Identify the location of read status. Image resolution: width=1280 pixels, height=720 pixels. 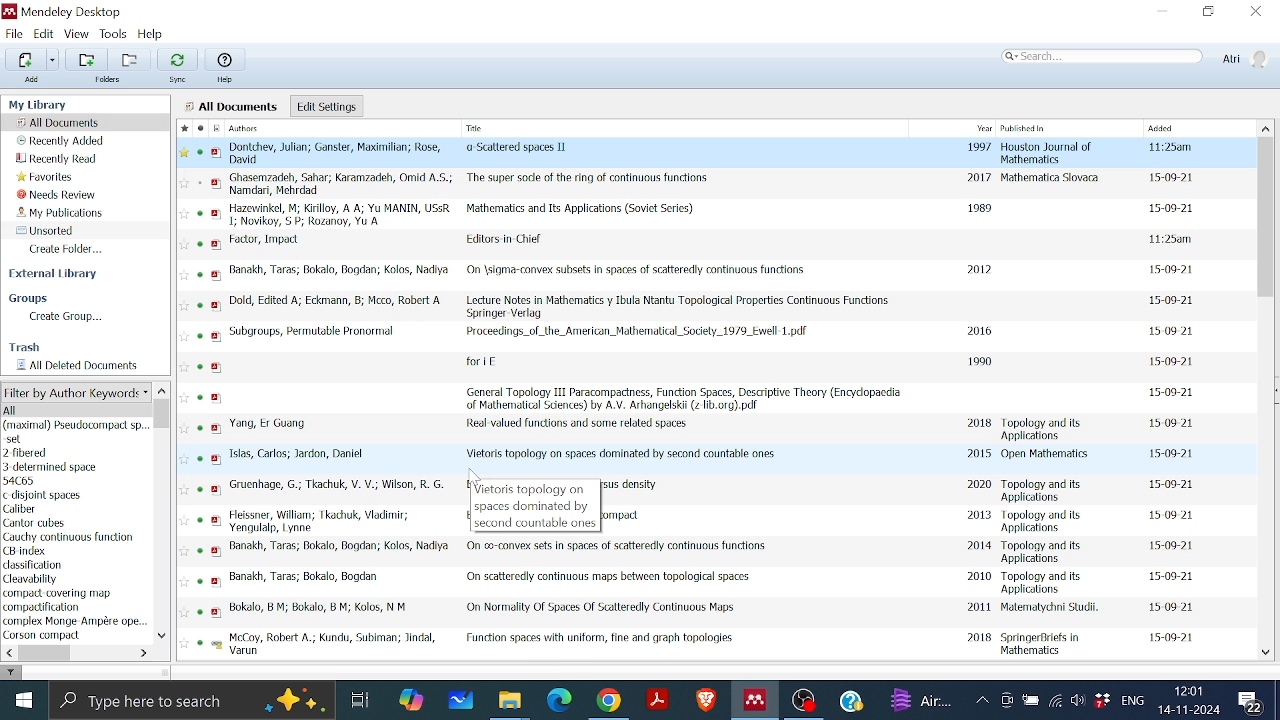
(204, 306).